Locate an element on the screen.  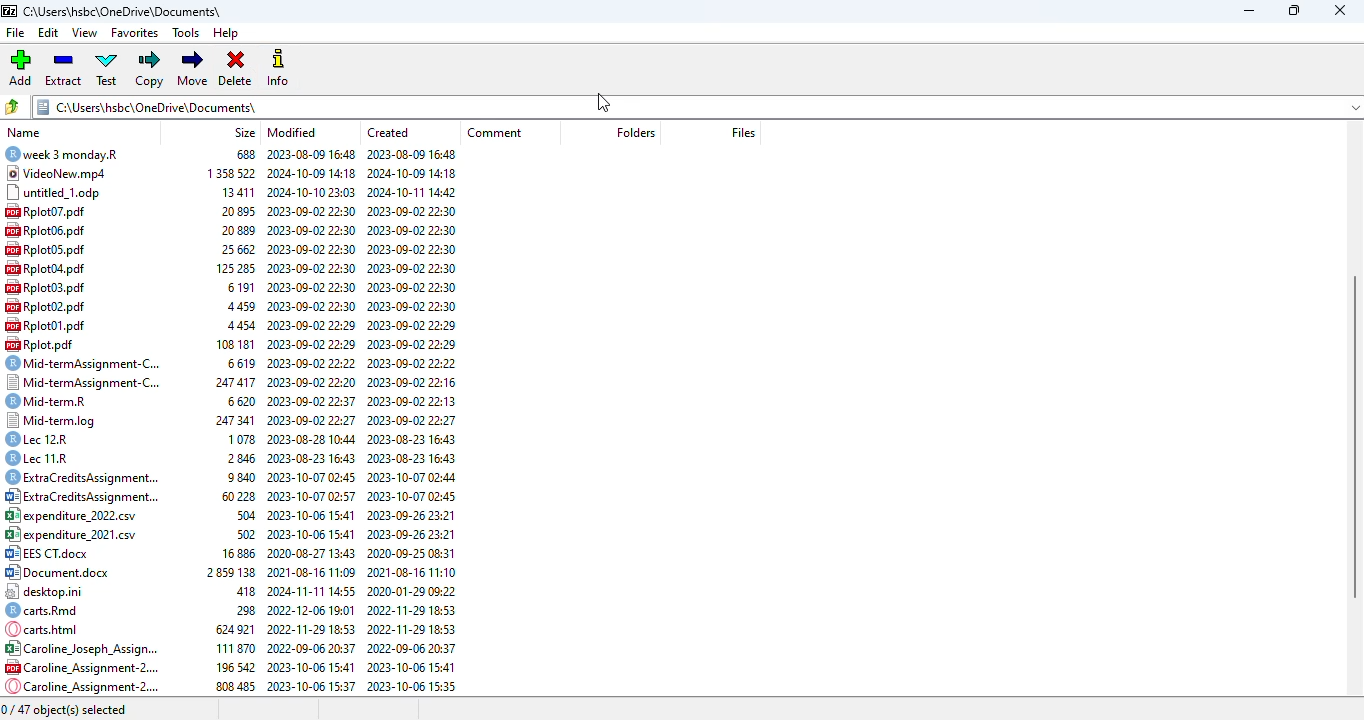
 Rplot03.pdf is located at coordinates (51, 287).